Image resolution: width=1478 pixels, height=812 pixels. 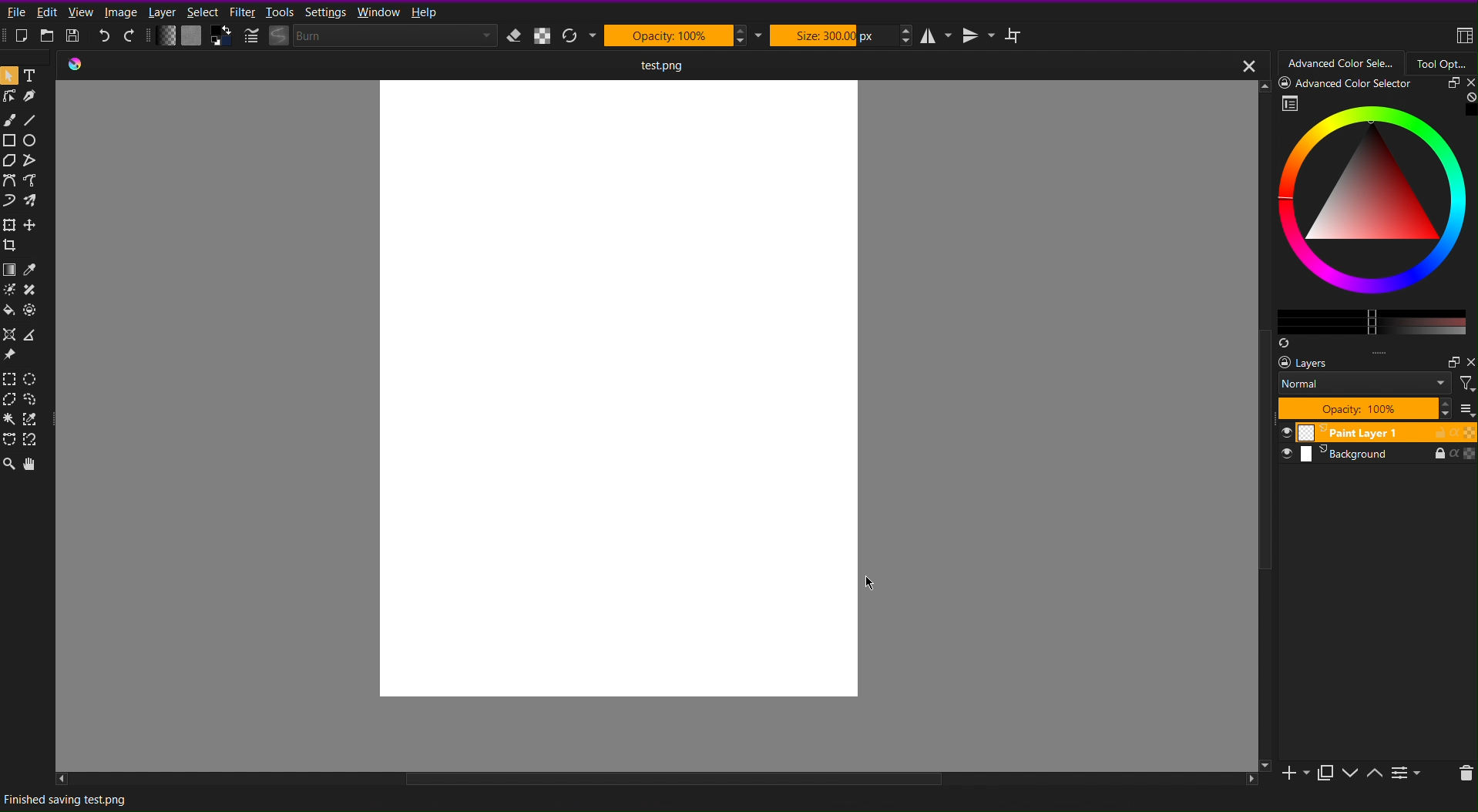 What do you see at coordinates (325, 12) in the screenshot?
I see `Settings` at bounding box center [325, 12].